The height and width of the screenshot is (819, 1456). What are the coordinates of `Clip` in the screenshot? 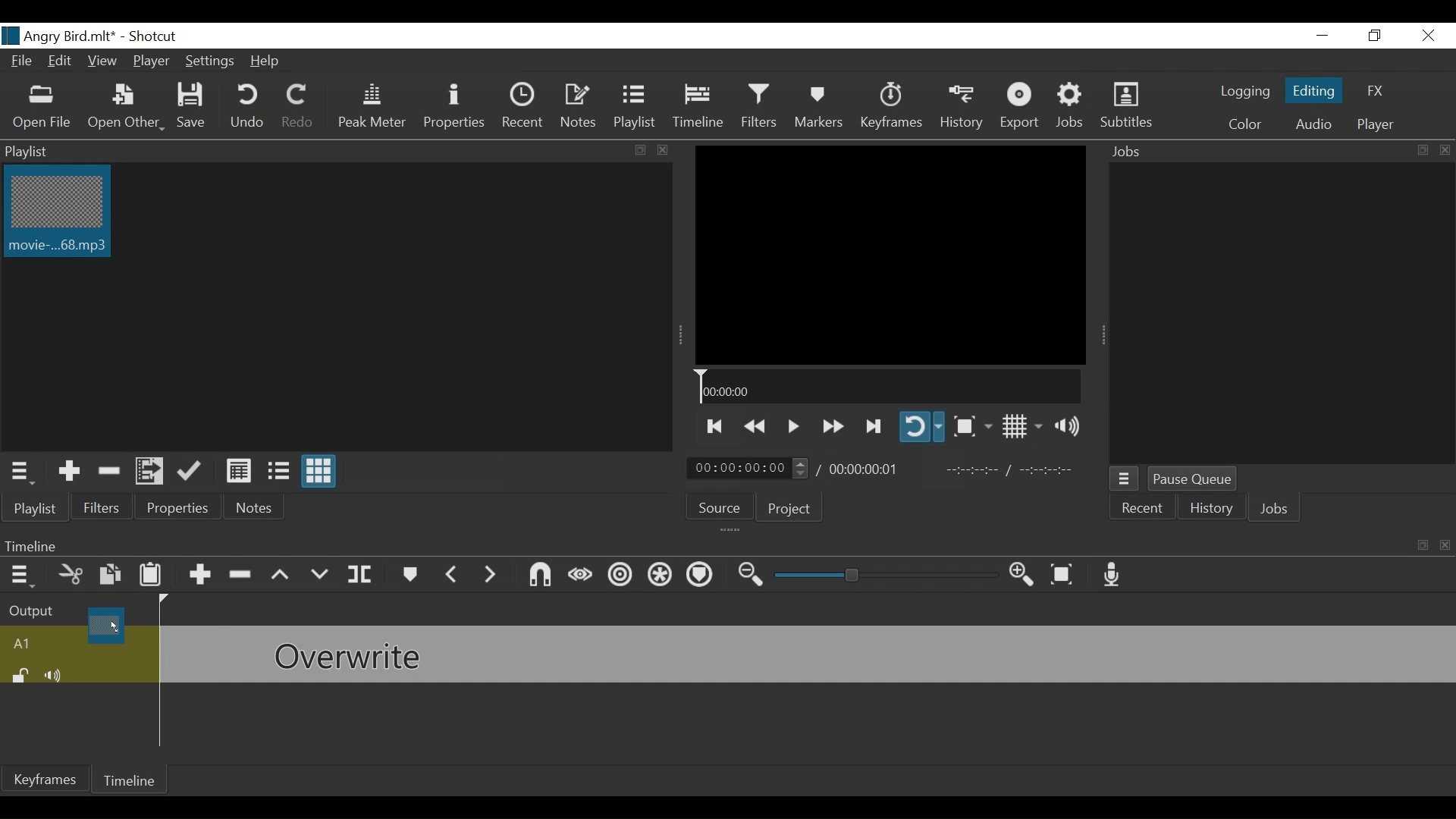 It's located at (105, 623).